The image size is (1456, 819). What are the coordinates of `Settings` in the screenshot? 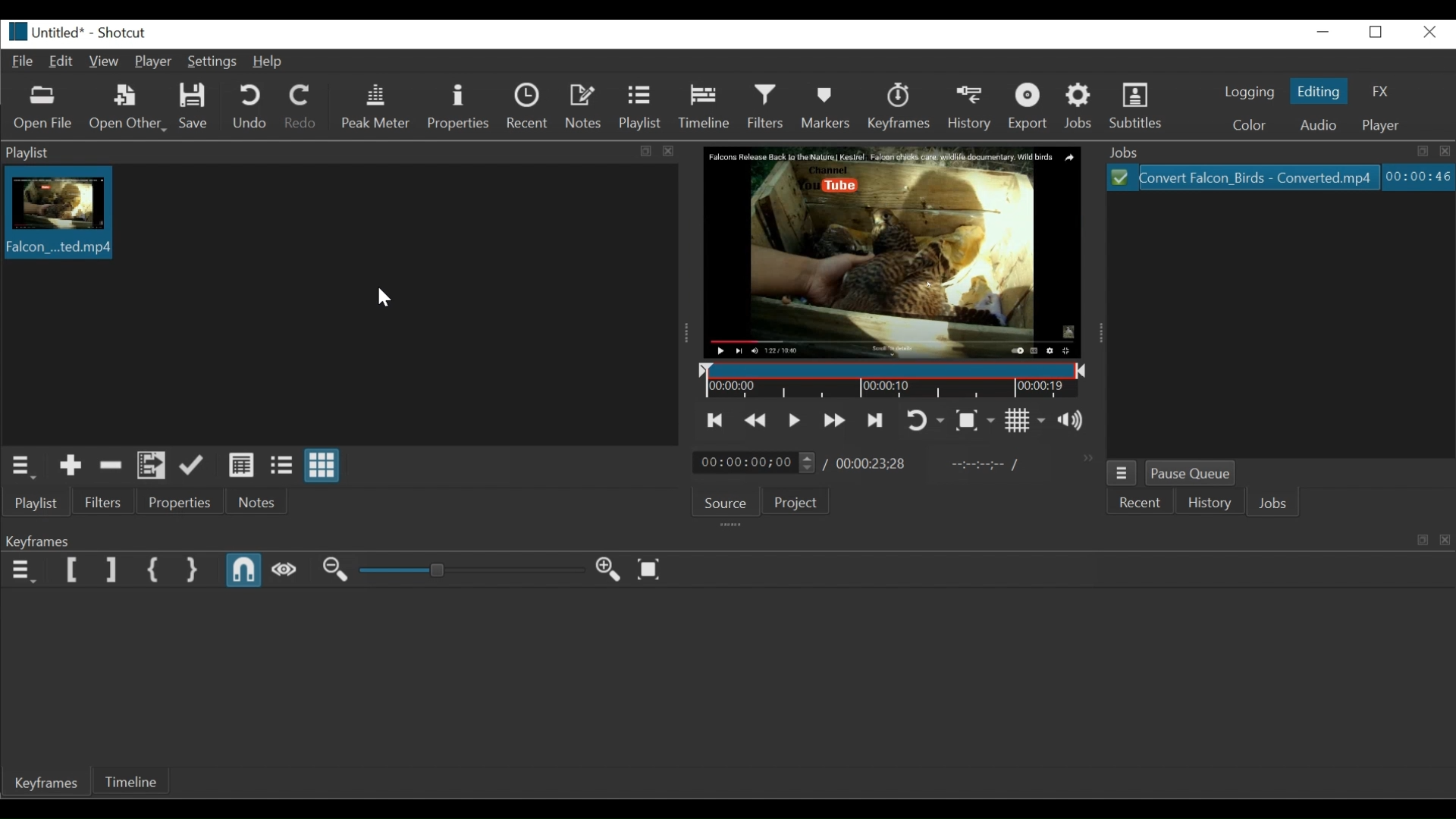 It's located at (212, 61).